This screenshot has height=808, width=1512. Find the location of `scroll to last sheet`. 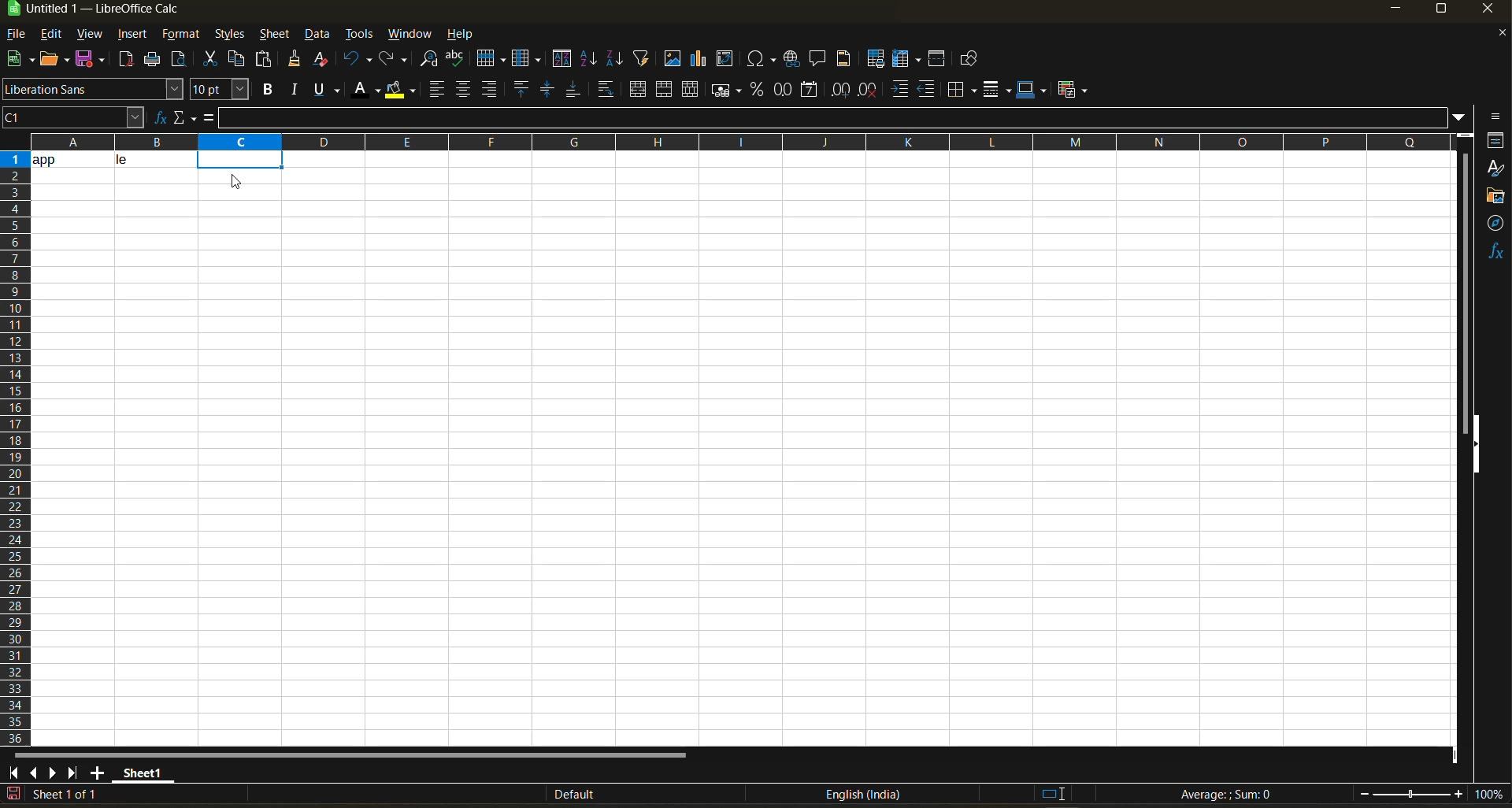

scroll to last sheet is located at coordinates (73, 773).